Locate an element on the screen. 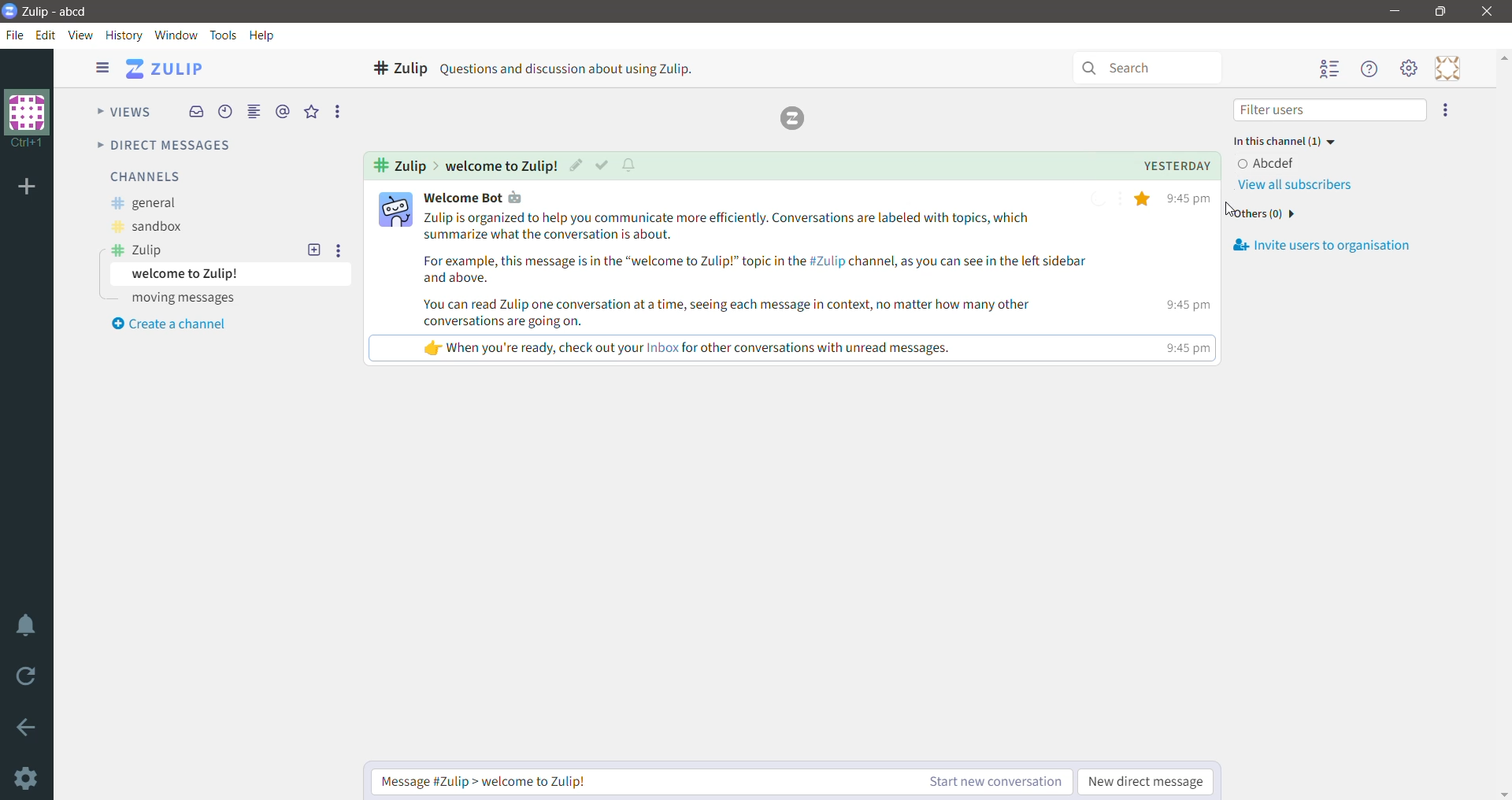  Help is located at coordinates (263, 36).